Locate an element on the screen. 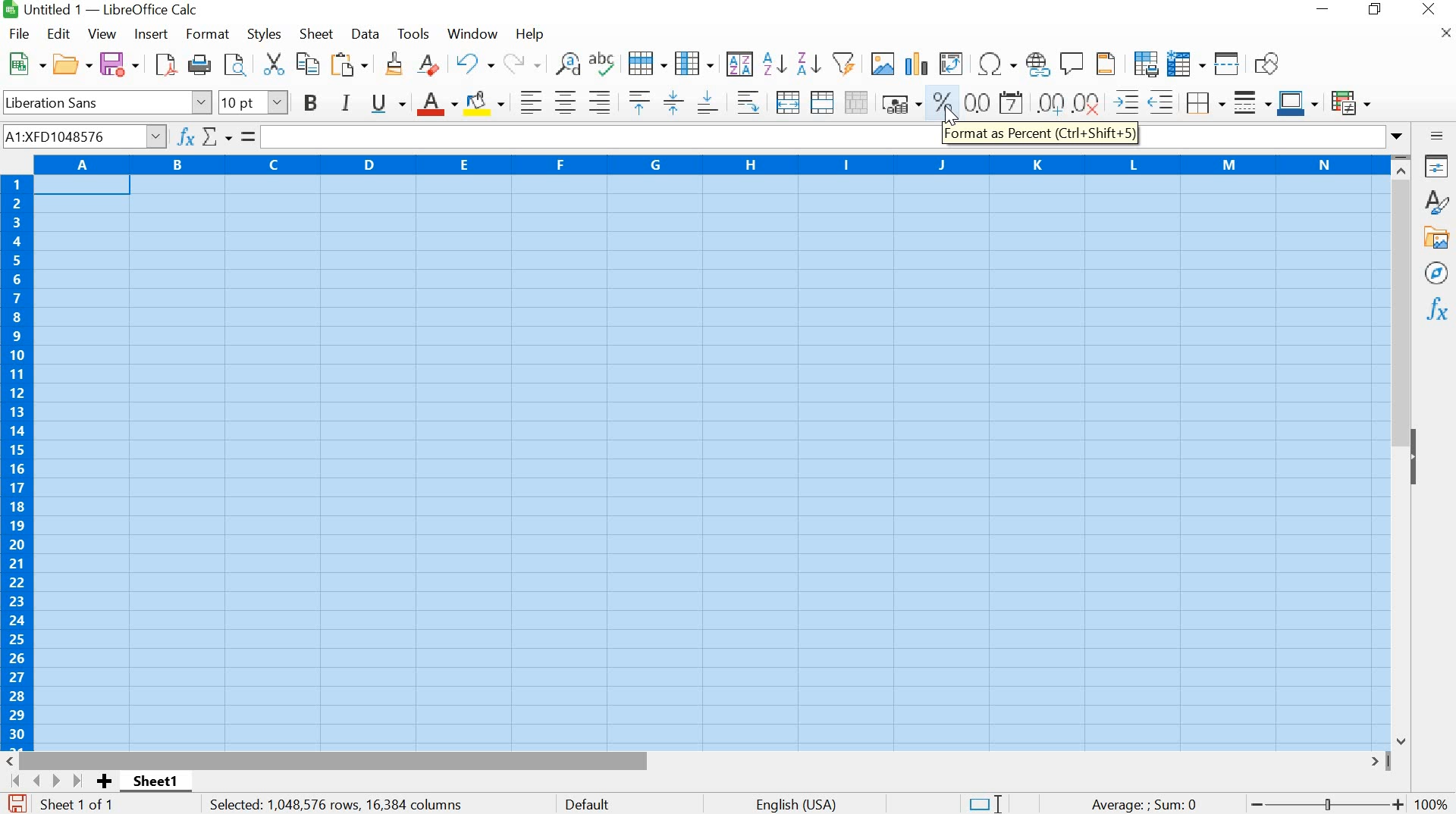  Navigator is located at coordinates (1437, 272).